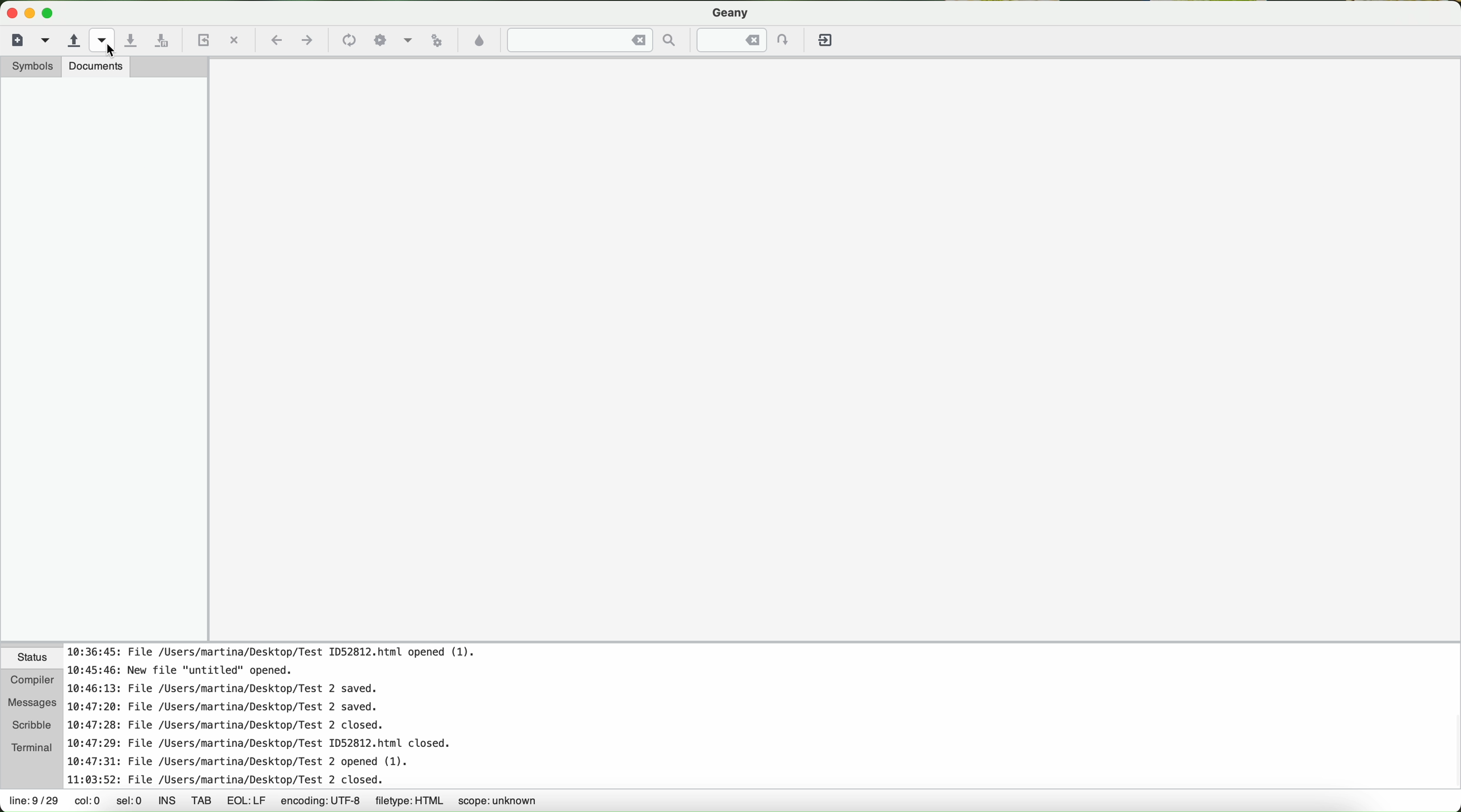 This screenshot has height=812, width=1461. I want to click on icon, so click(347, 41).